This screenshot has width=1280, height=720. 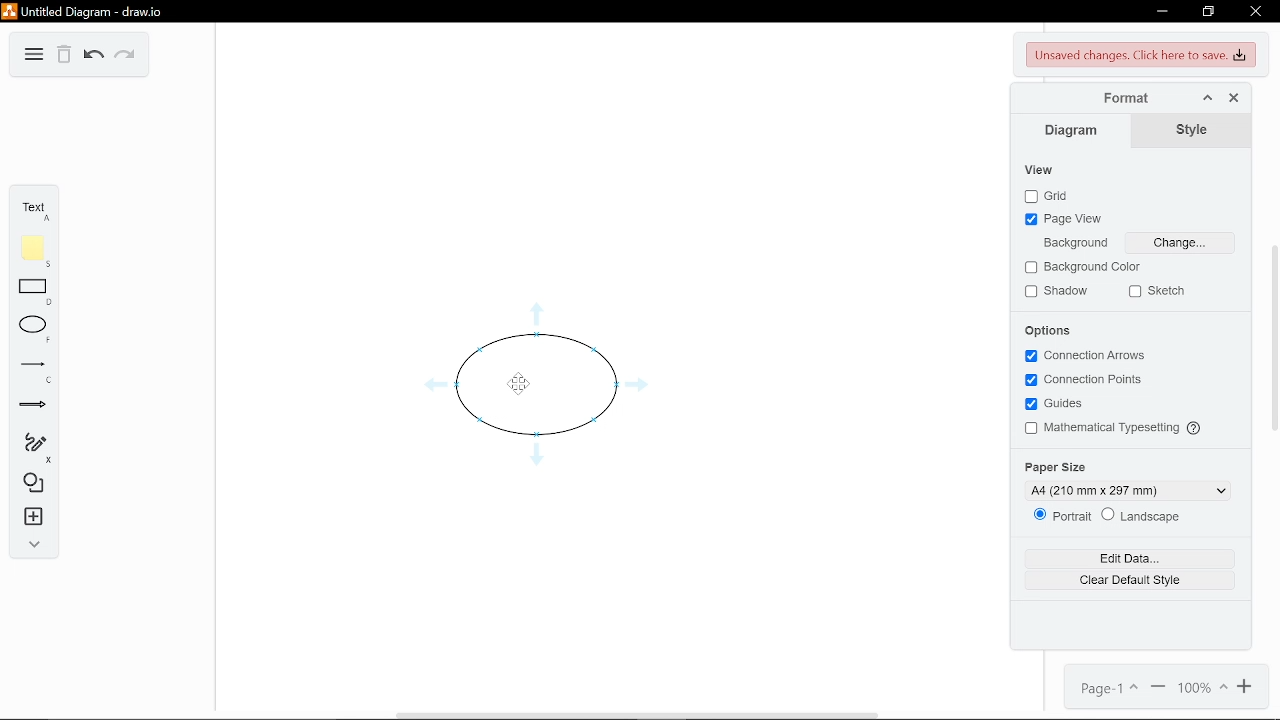 I want to click on Undo, so click(x=94, y=56).